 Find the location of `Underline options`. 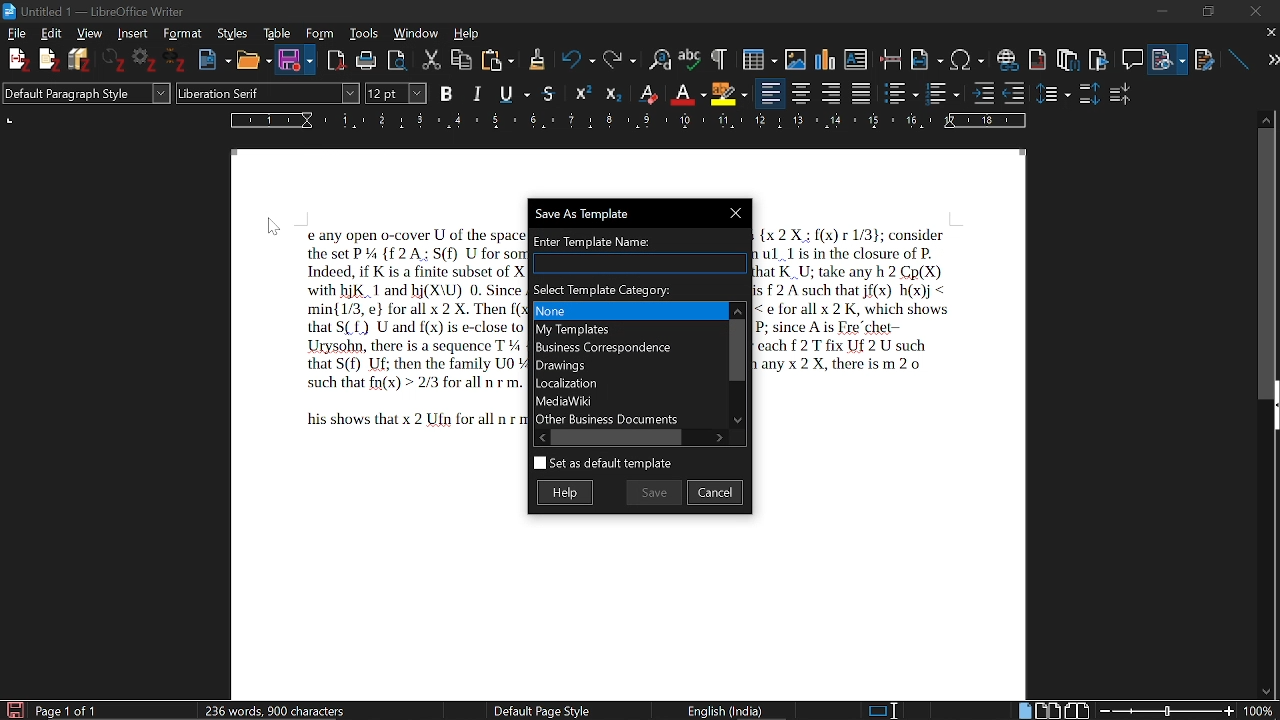

Underline options is located at coordinates (512, 91).